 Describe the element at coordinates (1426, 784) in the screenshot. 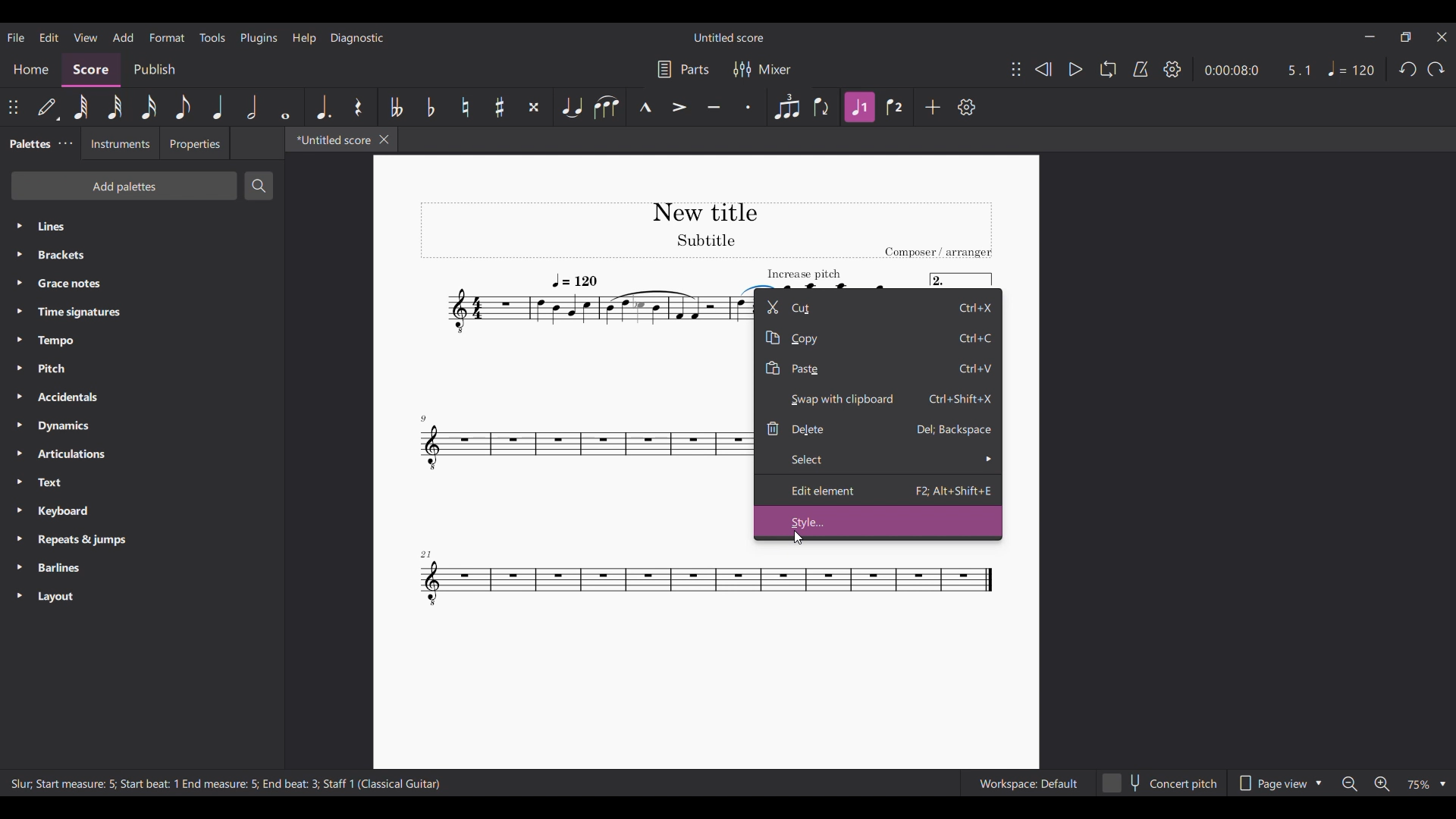

I see `Zoom options` at that location.